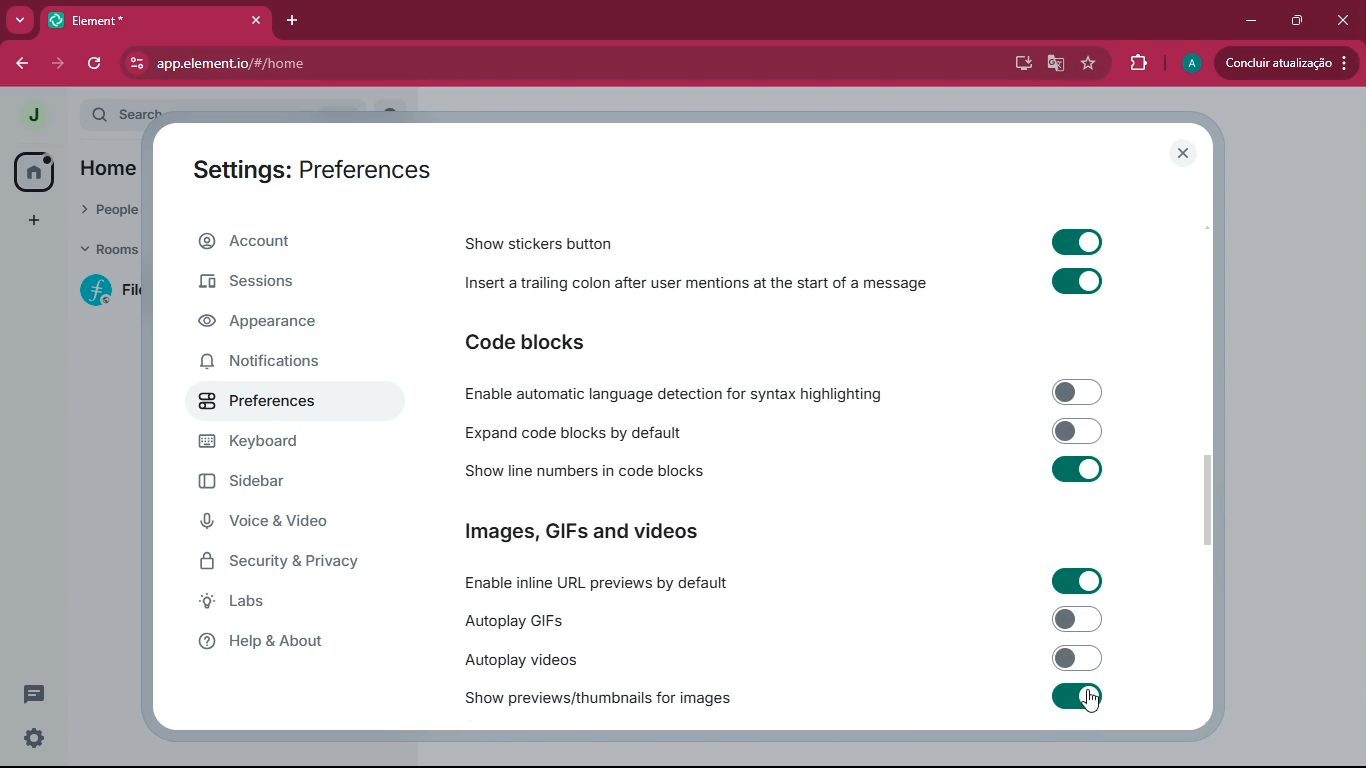  Describe the element at coordinates (1074, 698) in the screenshot. I see `Toggle on` at that location.